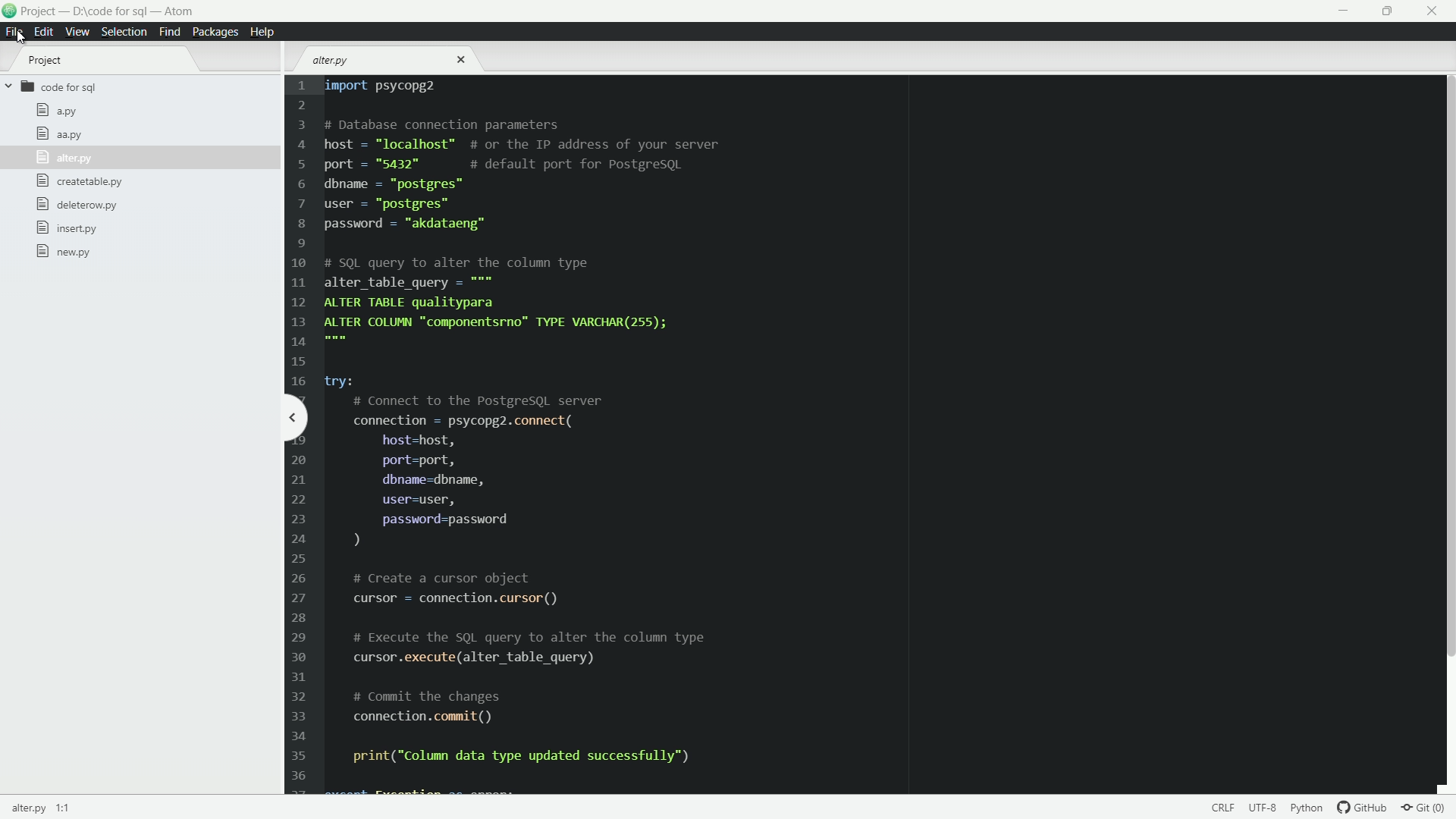  What do you see at coordinates (1345, 11) in the screenshot?
I see `minimize` at bounding box center [1345, 11].